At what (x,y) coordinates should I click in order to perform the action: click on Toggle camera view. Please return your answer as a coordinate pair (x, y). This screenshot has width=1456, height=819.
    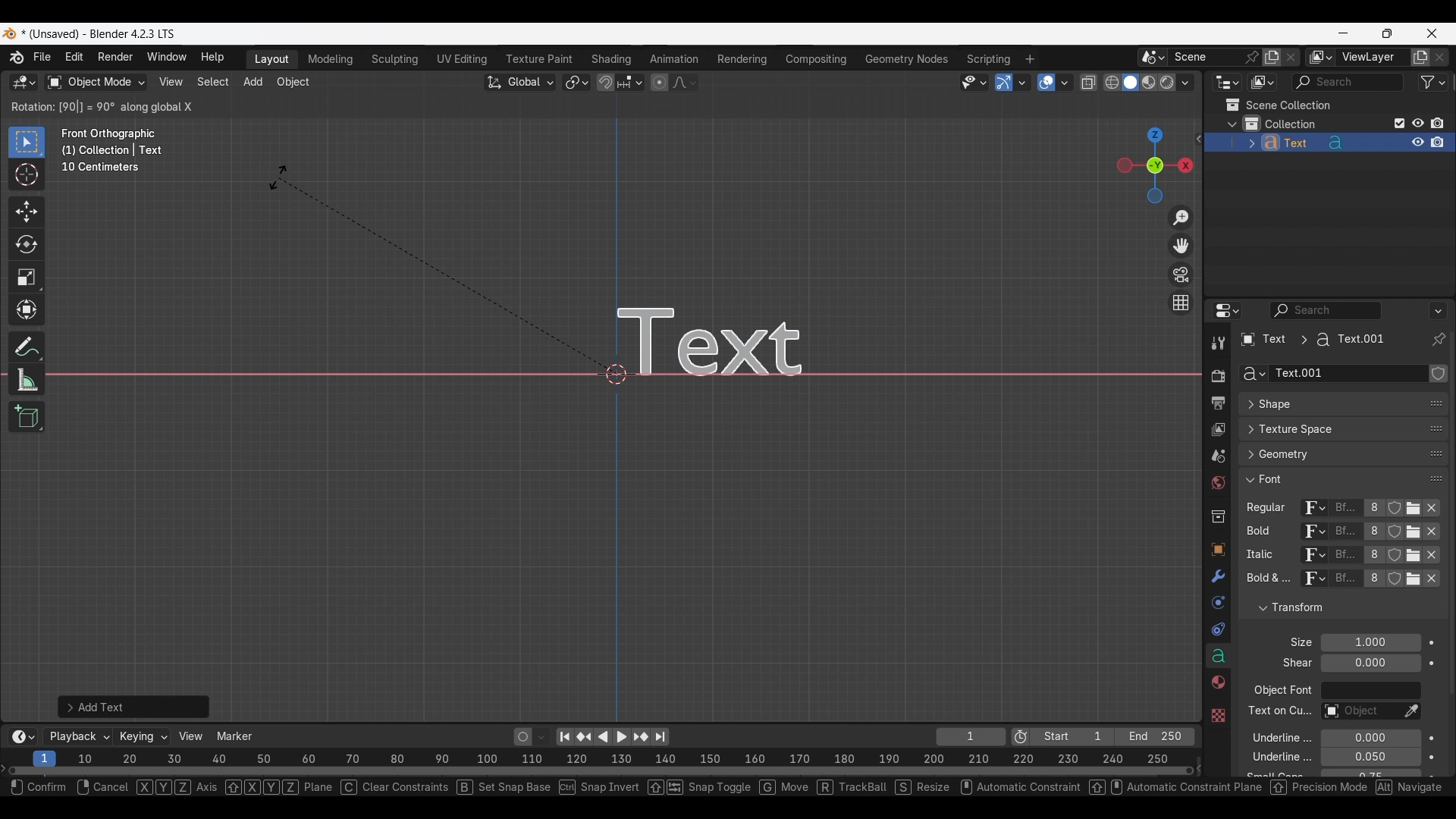
    Looking at the image, I should click on (1181, 274).